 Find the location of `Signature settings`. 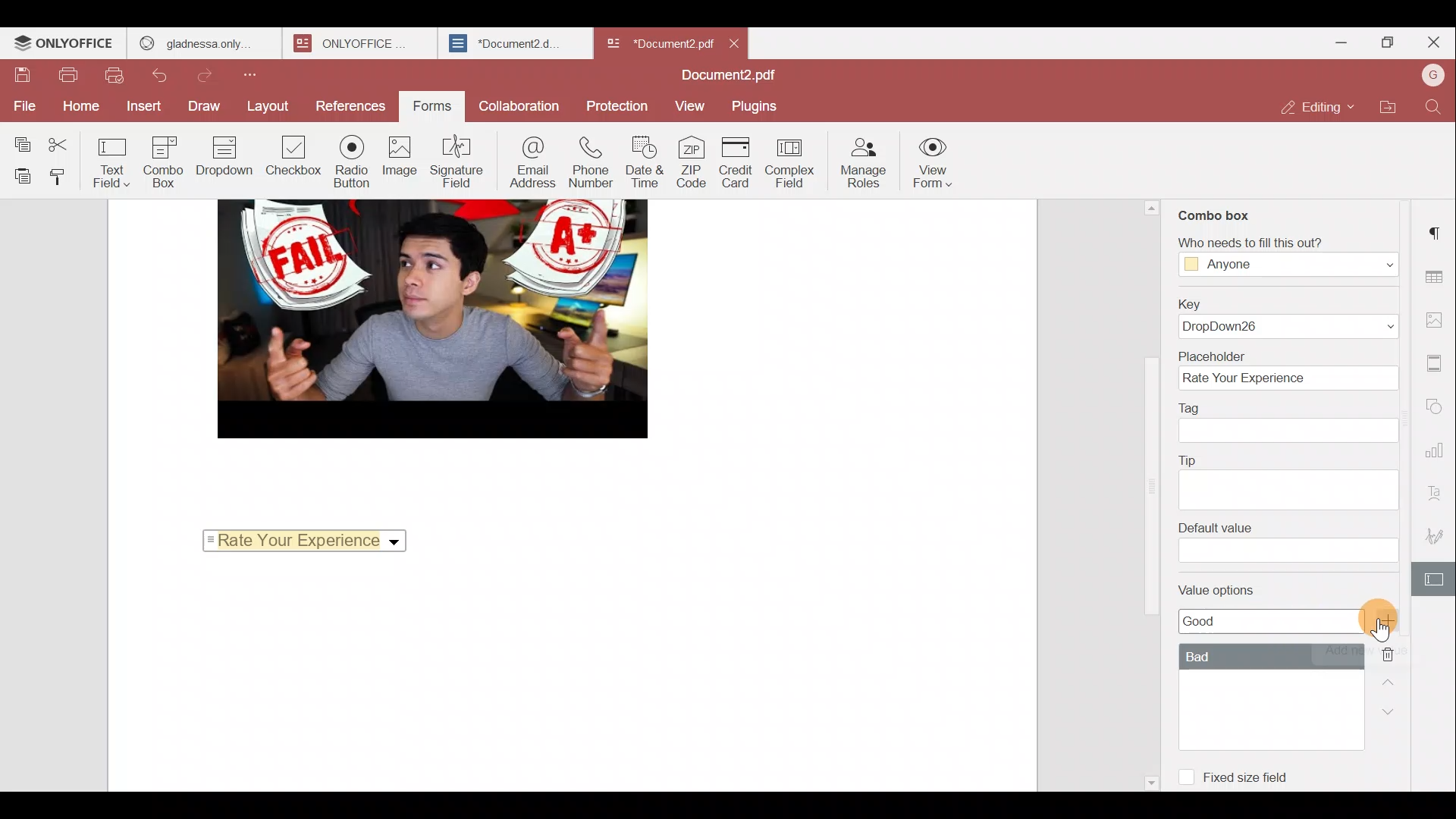

Signature settings is located at coordinates (1437, 532).